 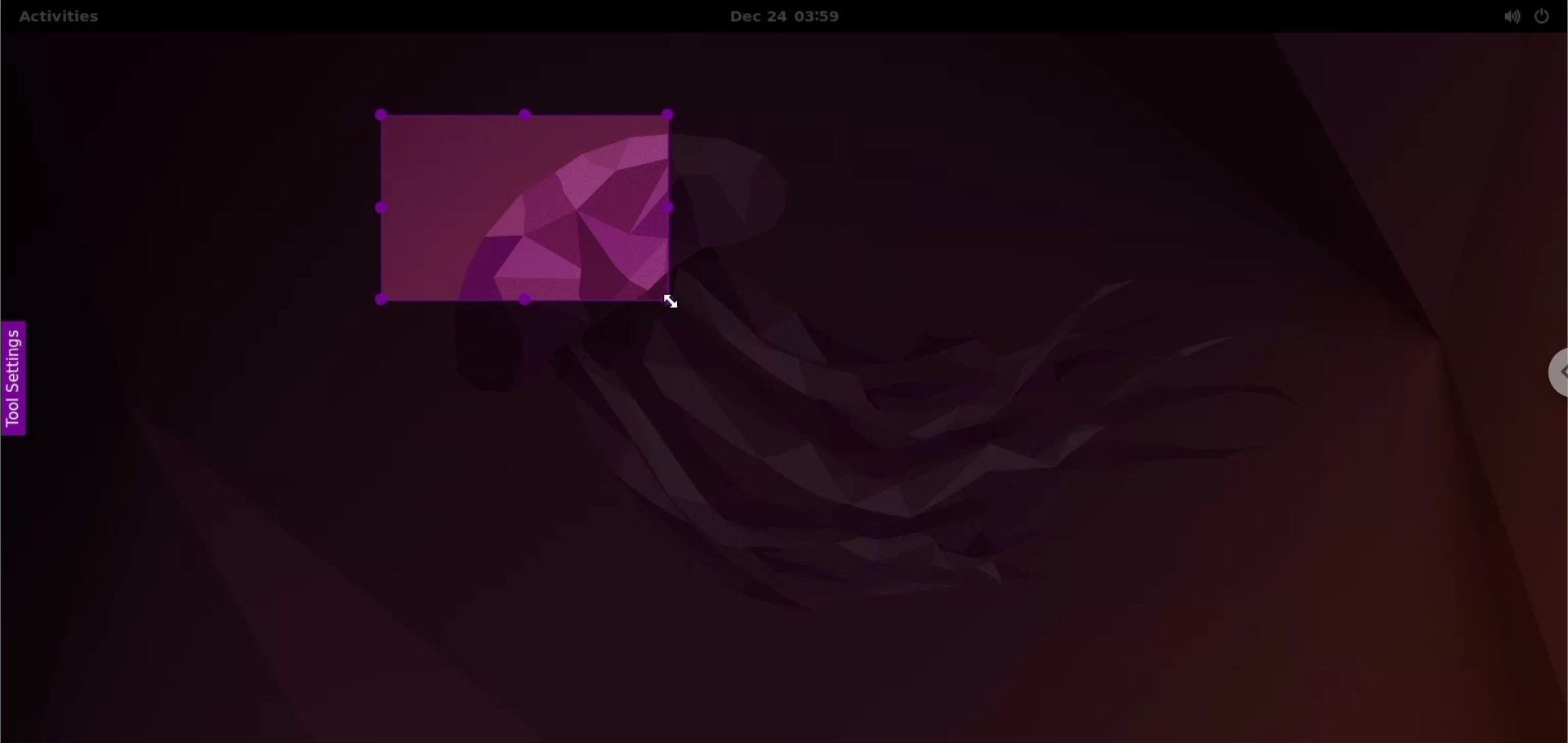 I want to click on tool settings , so click(x=14, y=382).